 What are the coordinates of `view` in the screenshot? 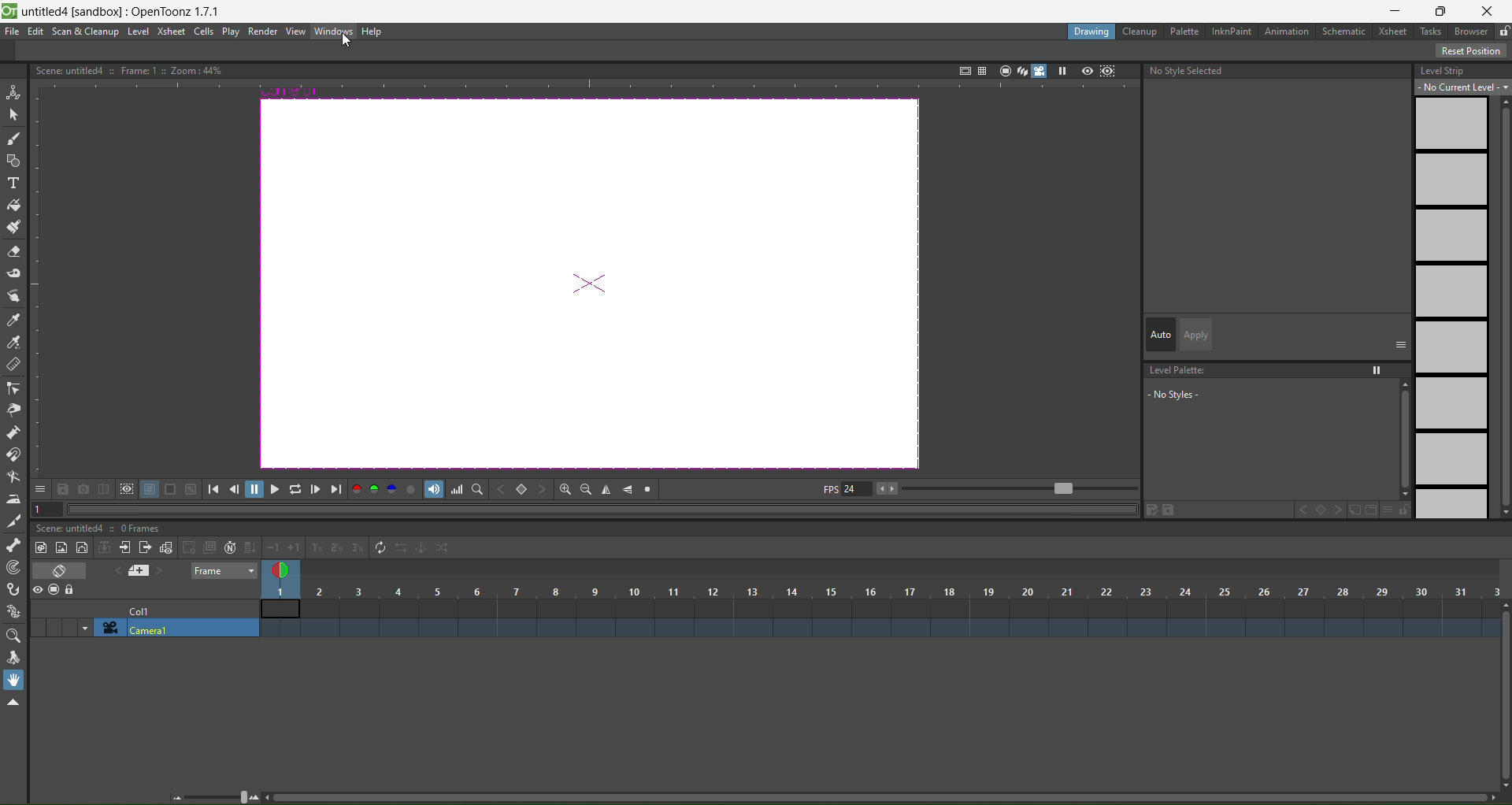 It's located at (295, 32).